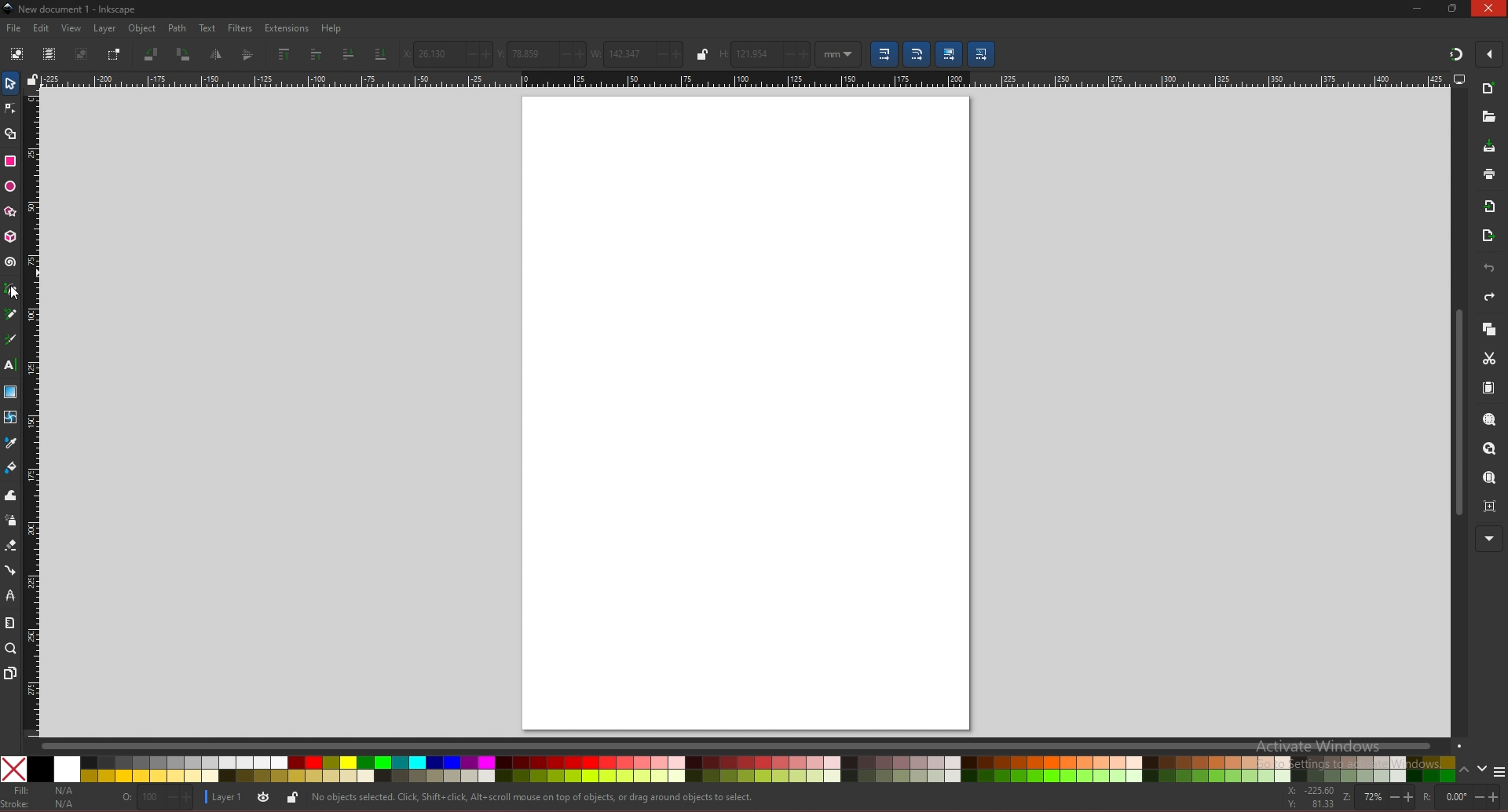 This screenshot has height=812, width=1508. What do you see at coordinates (446, 54) in the screenshot?
I see `x coordinate` at bounding box center [446, 54].